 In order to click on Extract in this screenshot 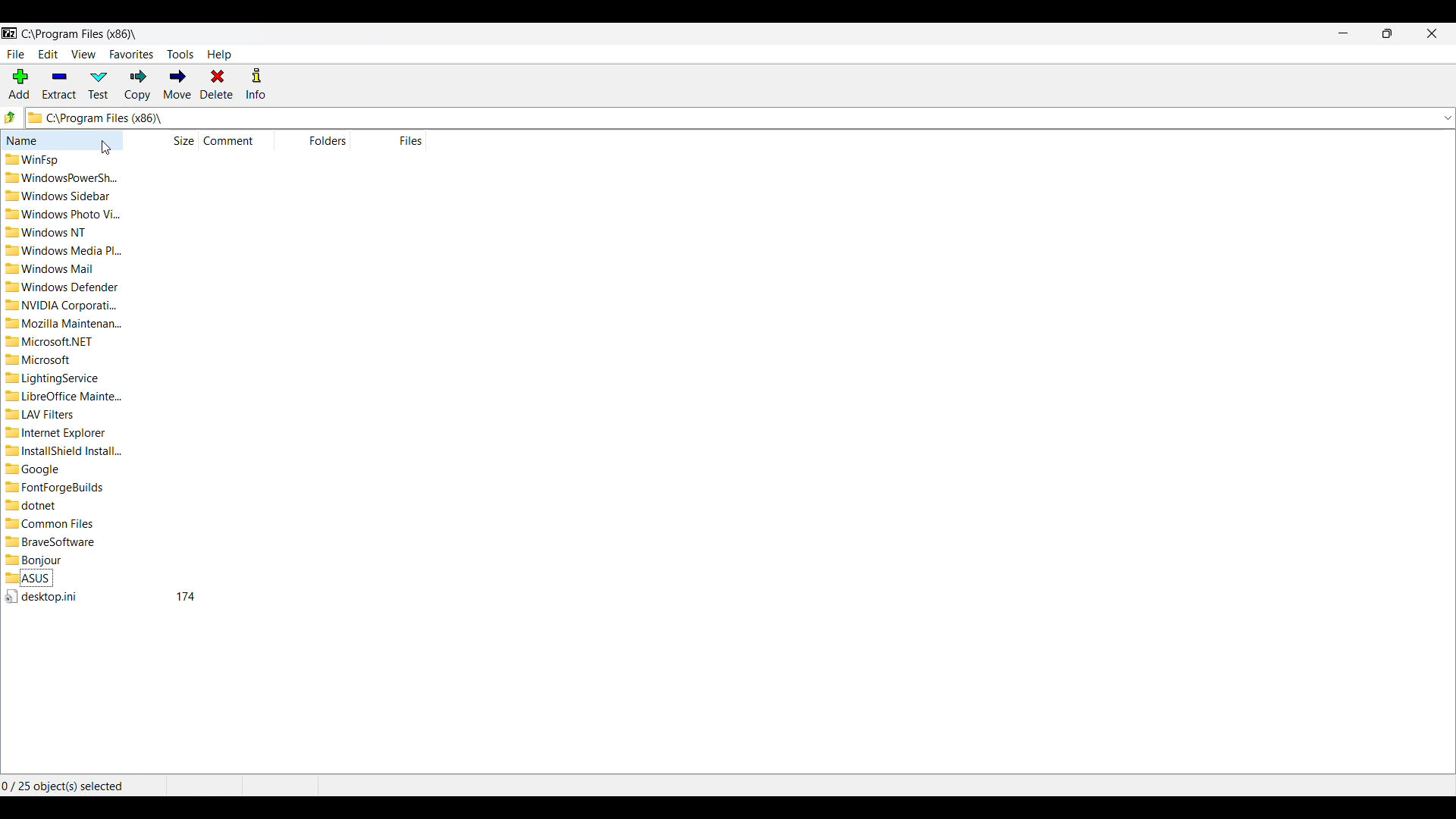, I will do `click(60, 84)`.